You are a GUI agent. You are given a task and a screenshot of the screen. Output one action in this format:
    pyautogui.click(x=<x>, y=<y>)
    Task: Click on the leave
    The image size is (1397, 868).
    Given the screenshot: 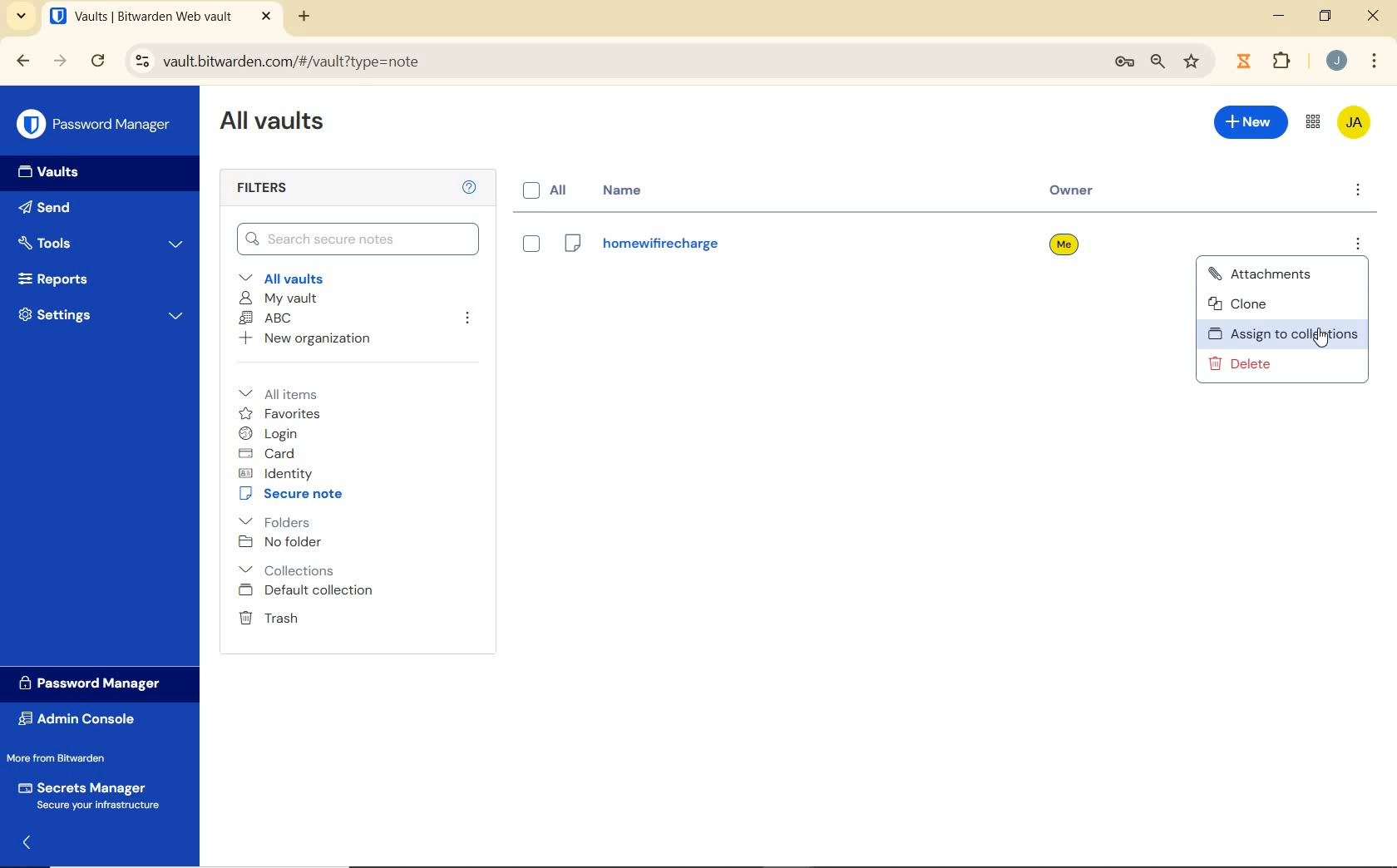 What is the action you would take?
    pyautogui.click(x=468, y=321)
    